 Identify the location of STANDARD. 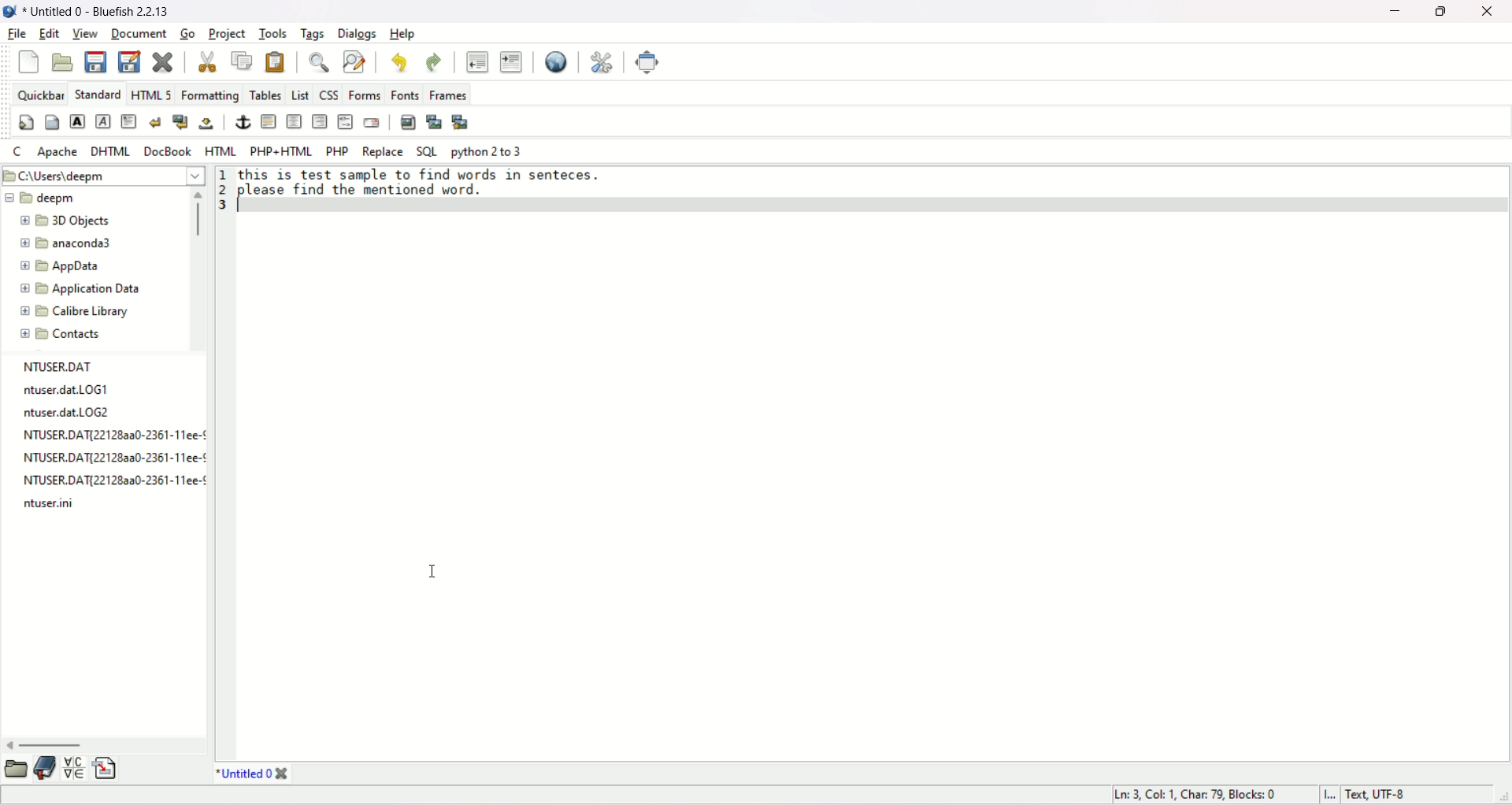
(99, 95).